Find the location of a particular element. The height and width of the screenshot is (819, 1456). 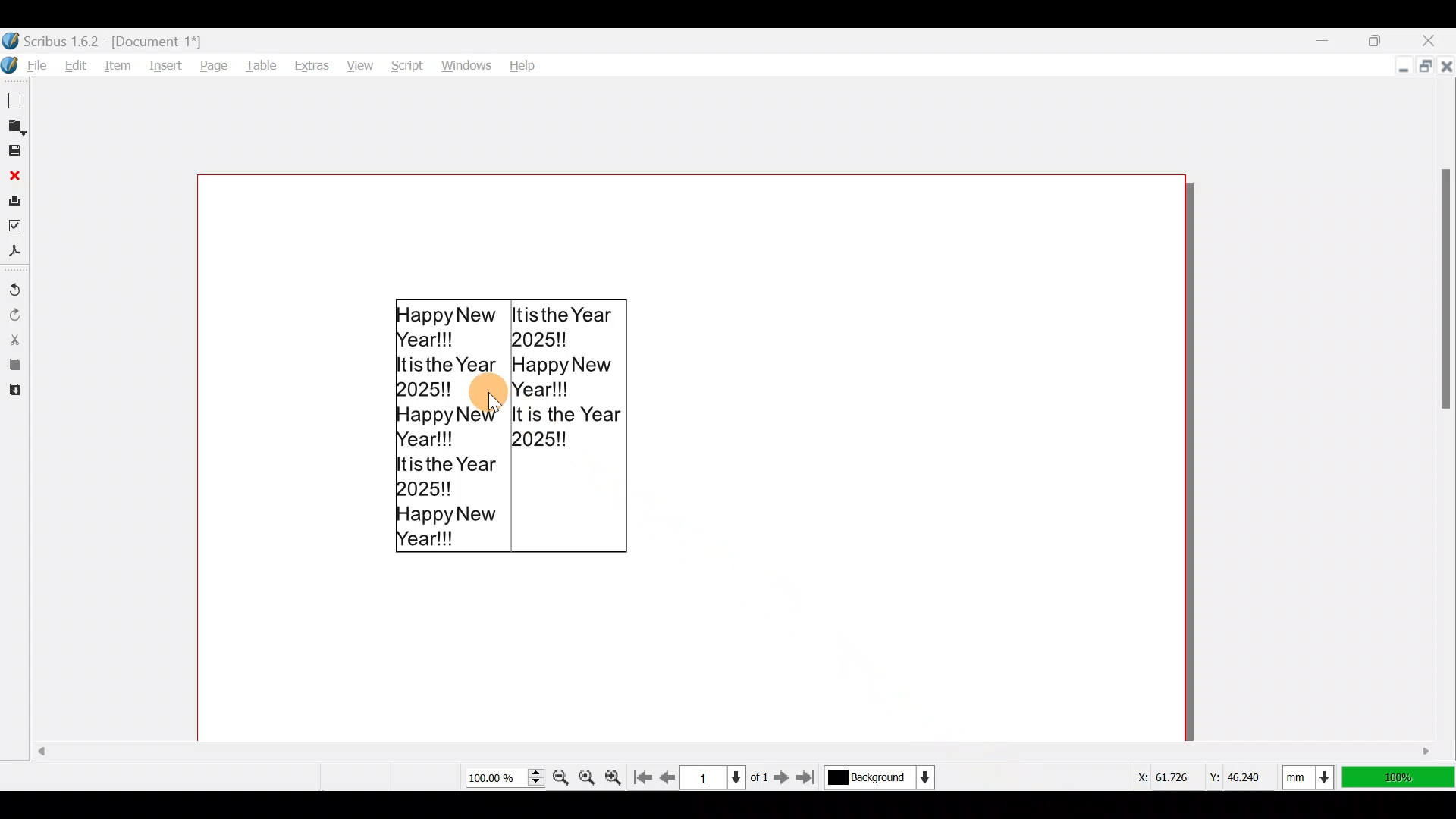

Save as PDF is located at coordinates (17, 254).